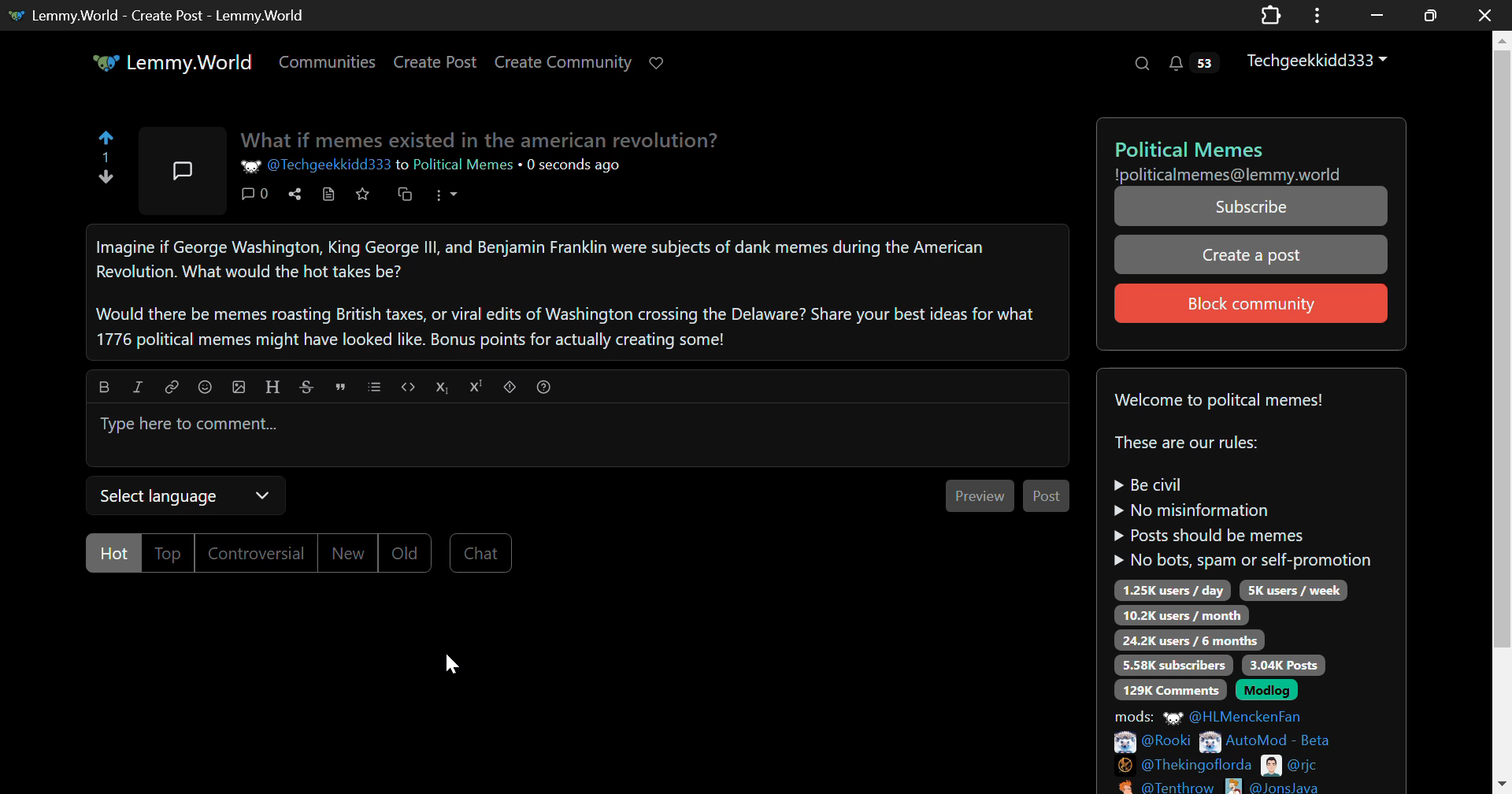 This screenshot has width=1512, height=794. Describe the element at coordinates (169, 553) in the screenshot. I see `Top Comment Filter Unselected` at that location.